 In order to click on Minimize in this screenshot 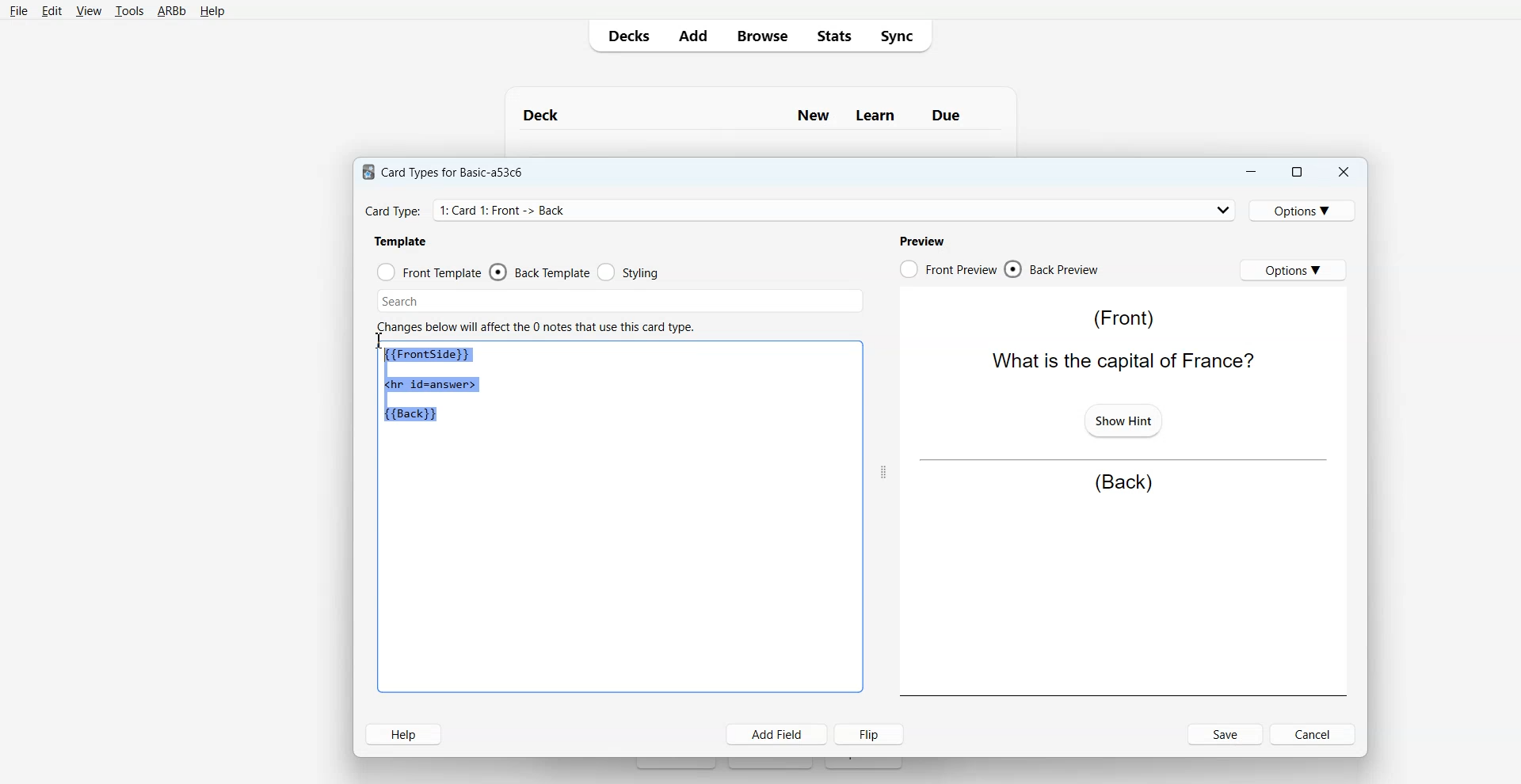, I will do `click(1249, 172)`.